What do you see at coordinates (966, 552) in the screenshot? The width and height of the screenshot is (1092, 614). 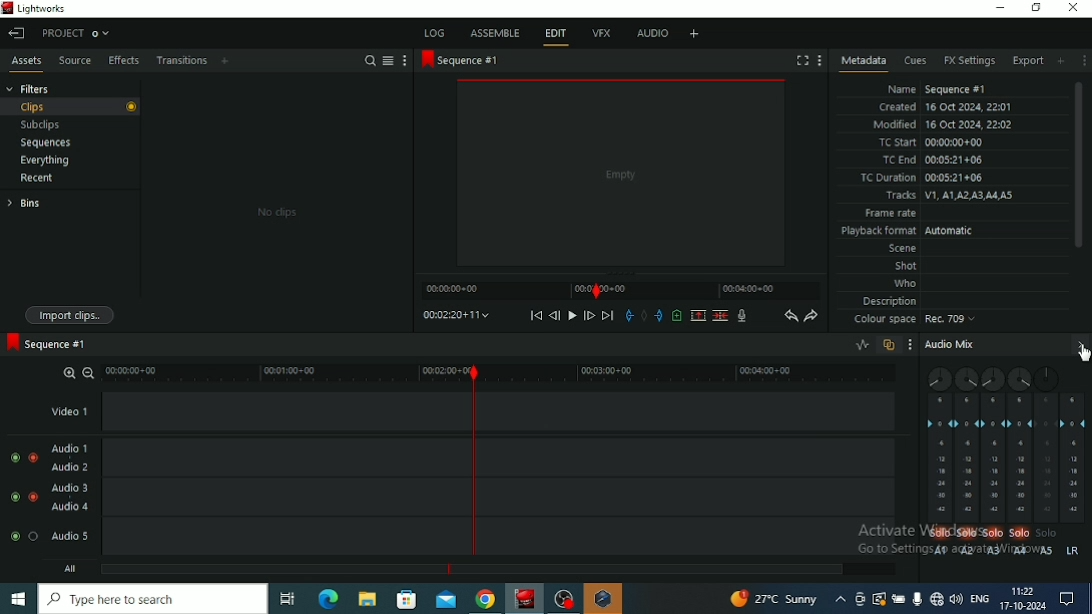 I see `A2` at bounding box center [966, 552].